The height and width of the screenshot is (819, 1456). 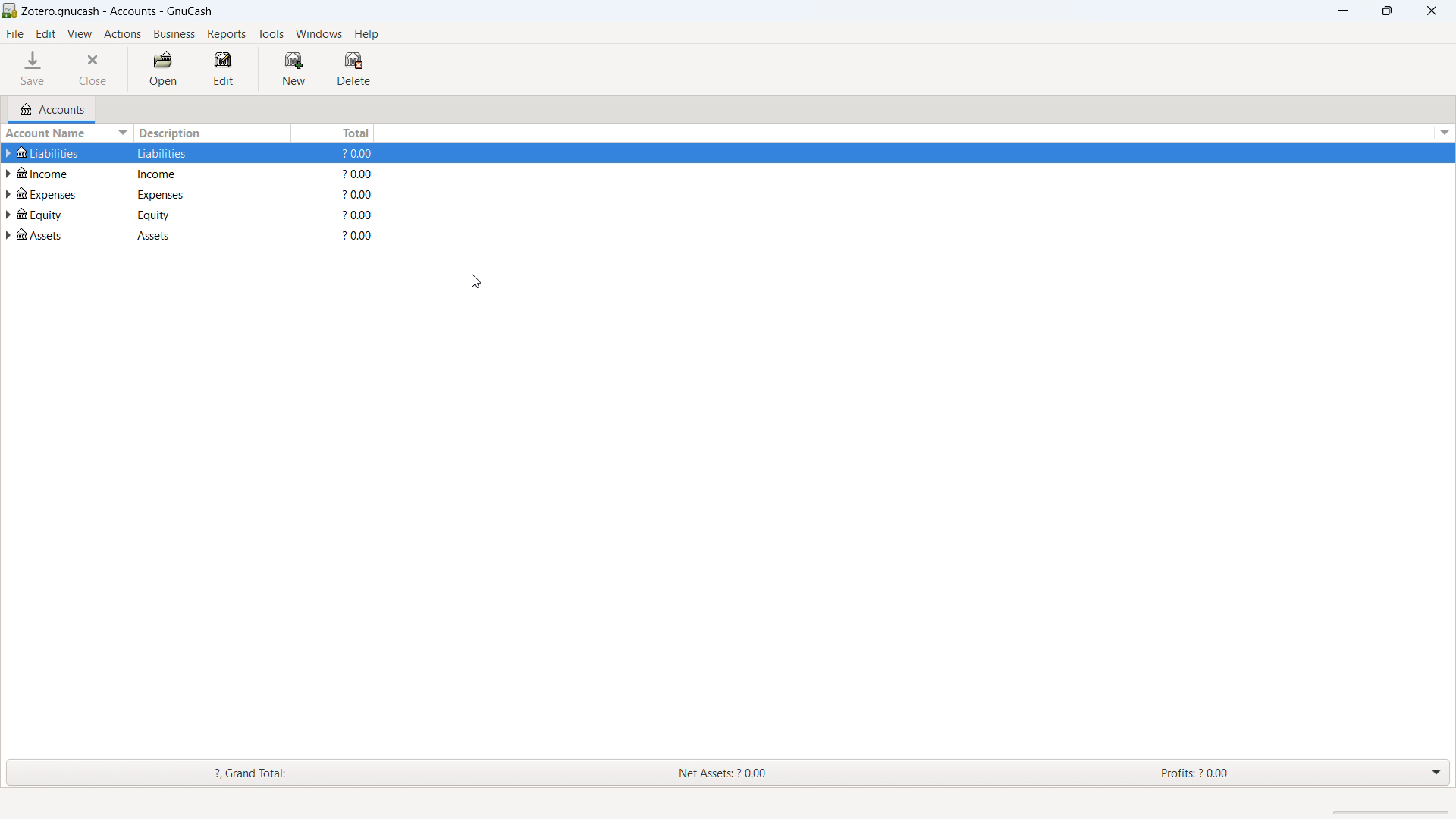 I want to click on edit, so click(x=45, y=34).